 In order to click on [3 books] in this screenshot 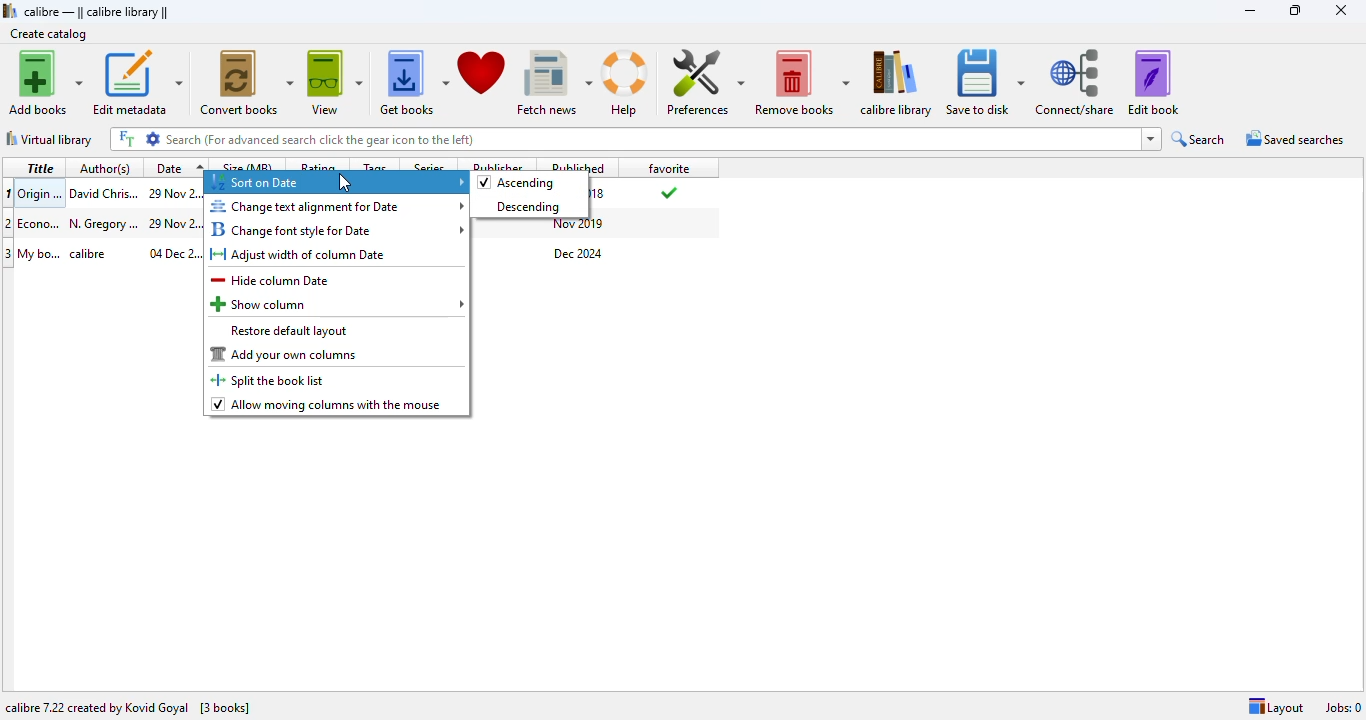, I will do `click(225, 709)`.